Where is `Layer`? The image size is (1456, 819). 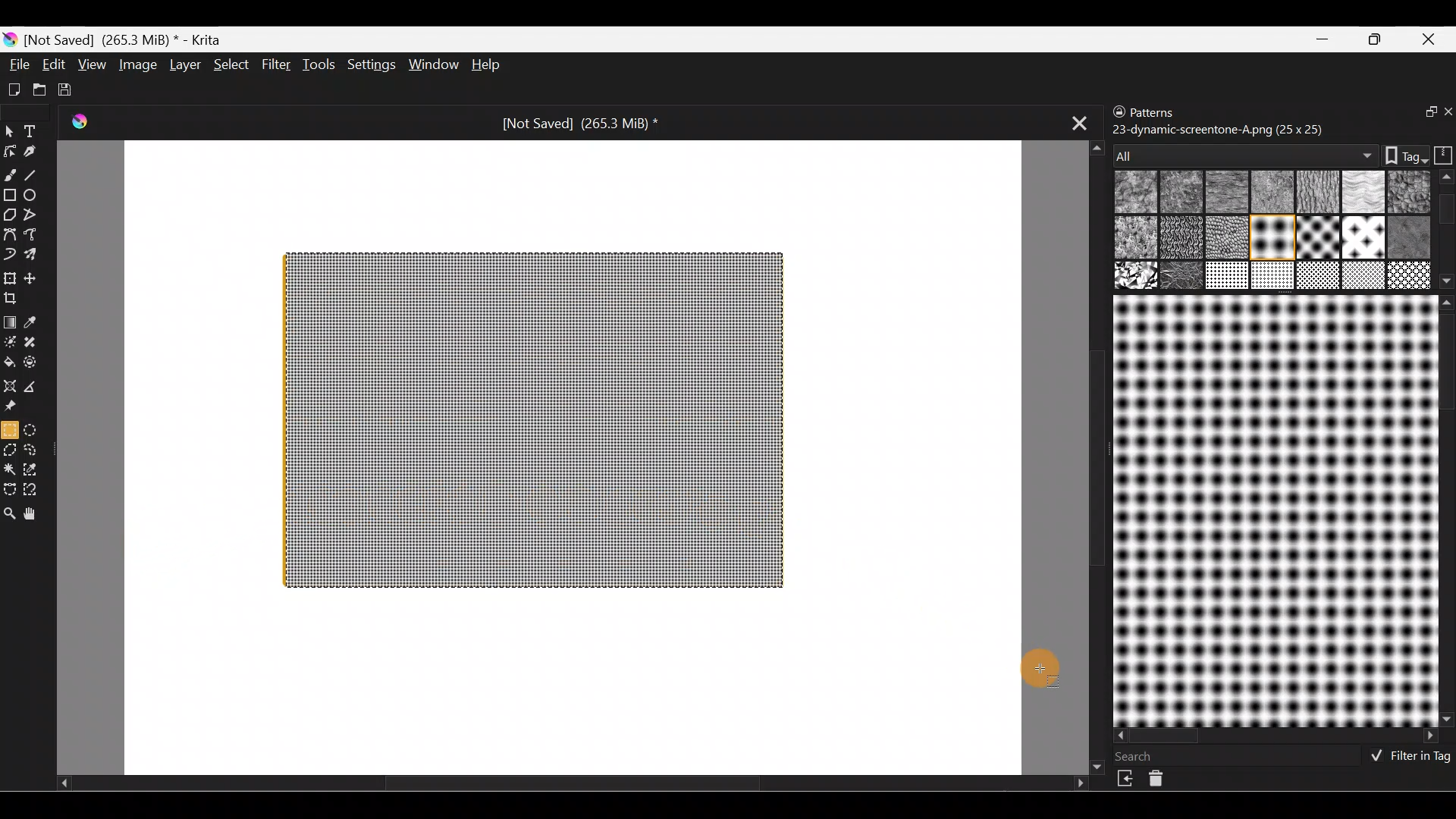
Layer is located at coordinates (184, 64).